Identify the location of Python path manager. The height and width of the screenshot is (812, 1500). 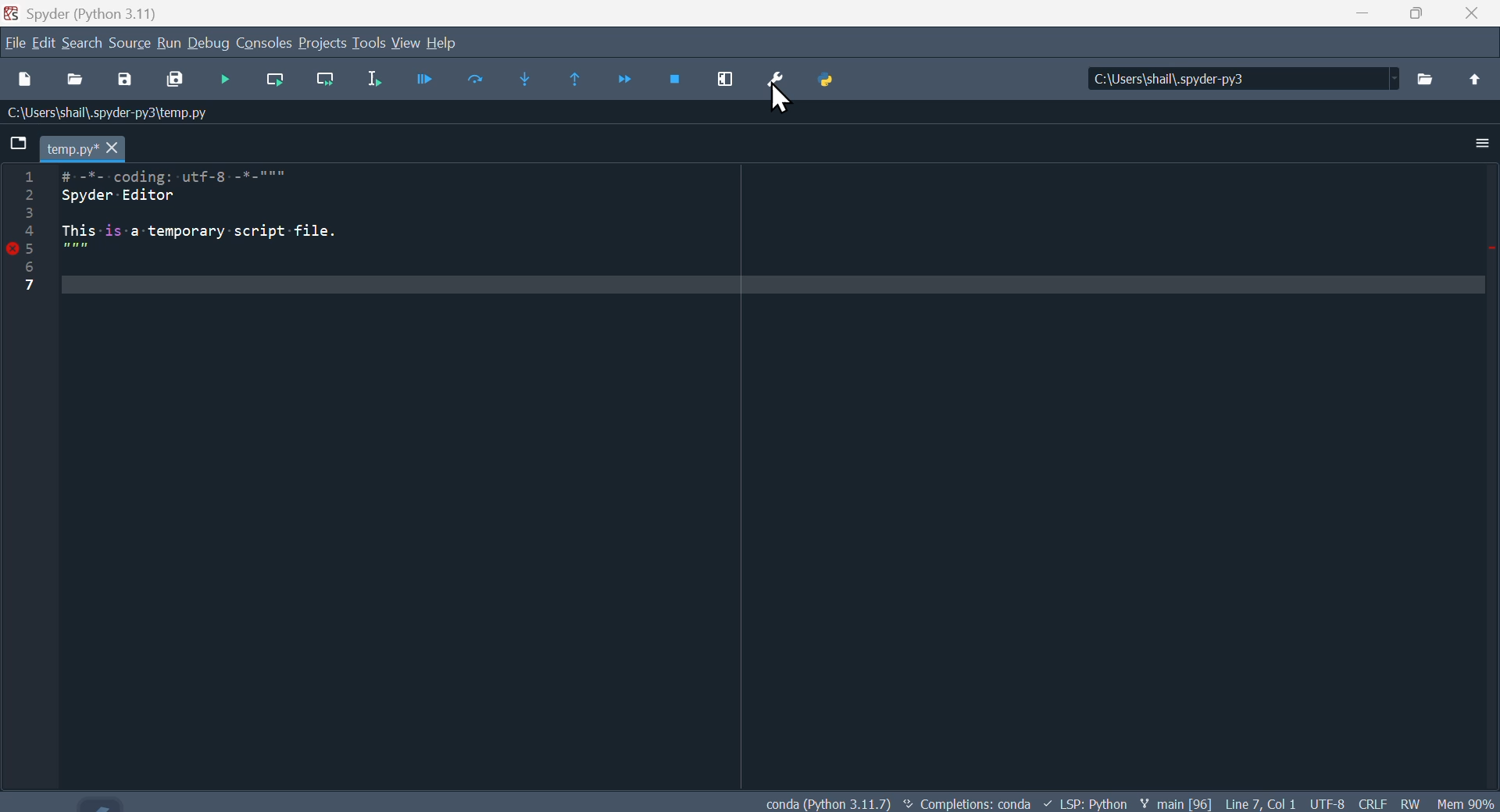
(830, 83).